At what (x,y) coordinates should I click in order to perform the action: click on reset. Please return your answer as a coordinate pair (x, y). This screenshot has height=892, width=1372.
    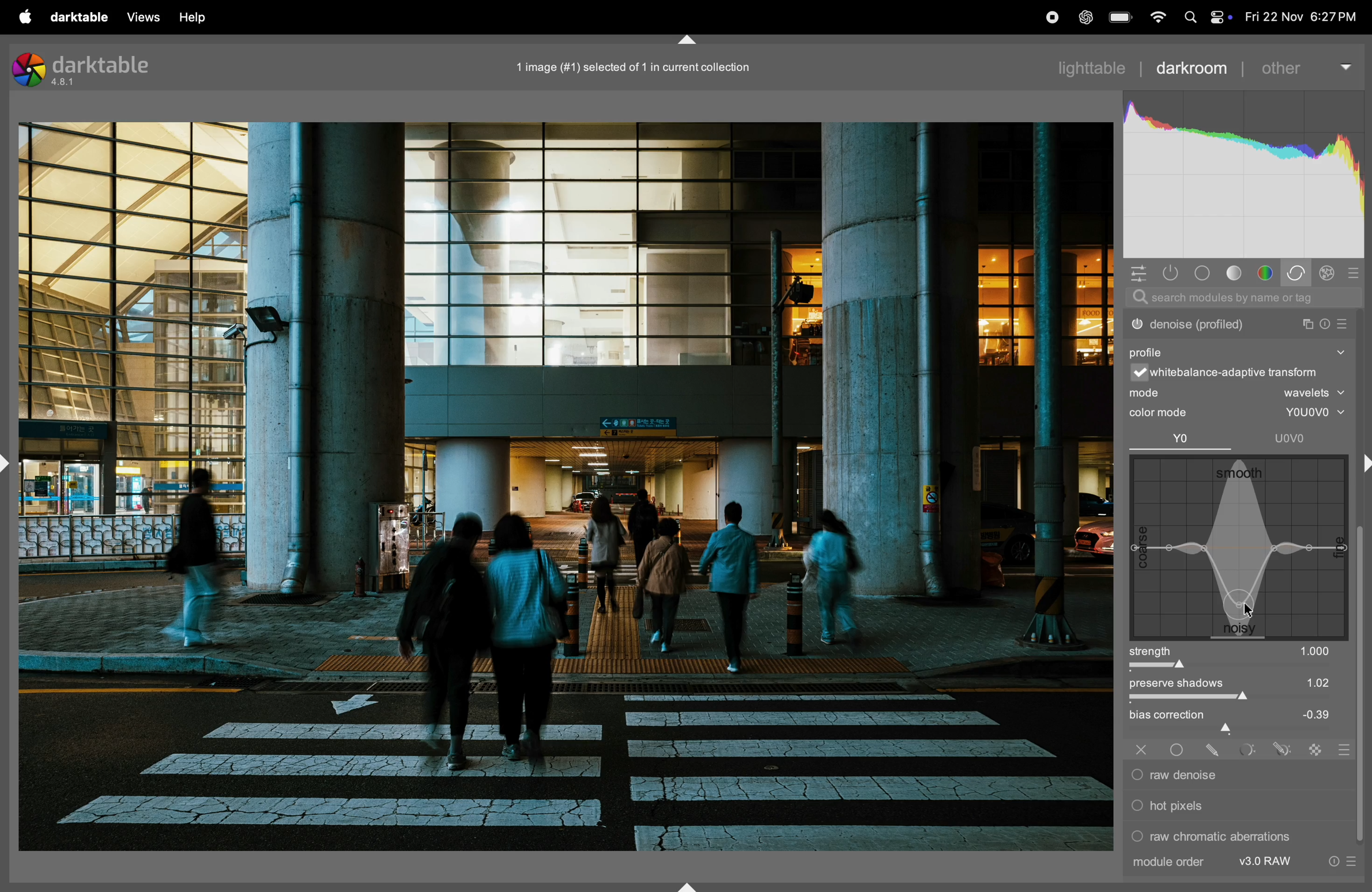
    Looking at the image, I should click on (1336, 861).